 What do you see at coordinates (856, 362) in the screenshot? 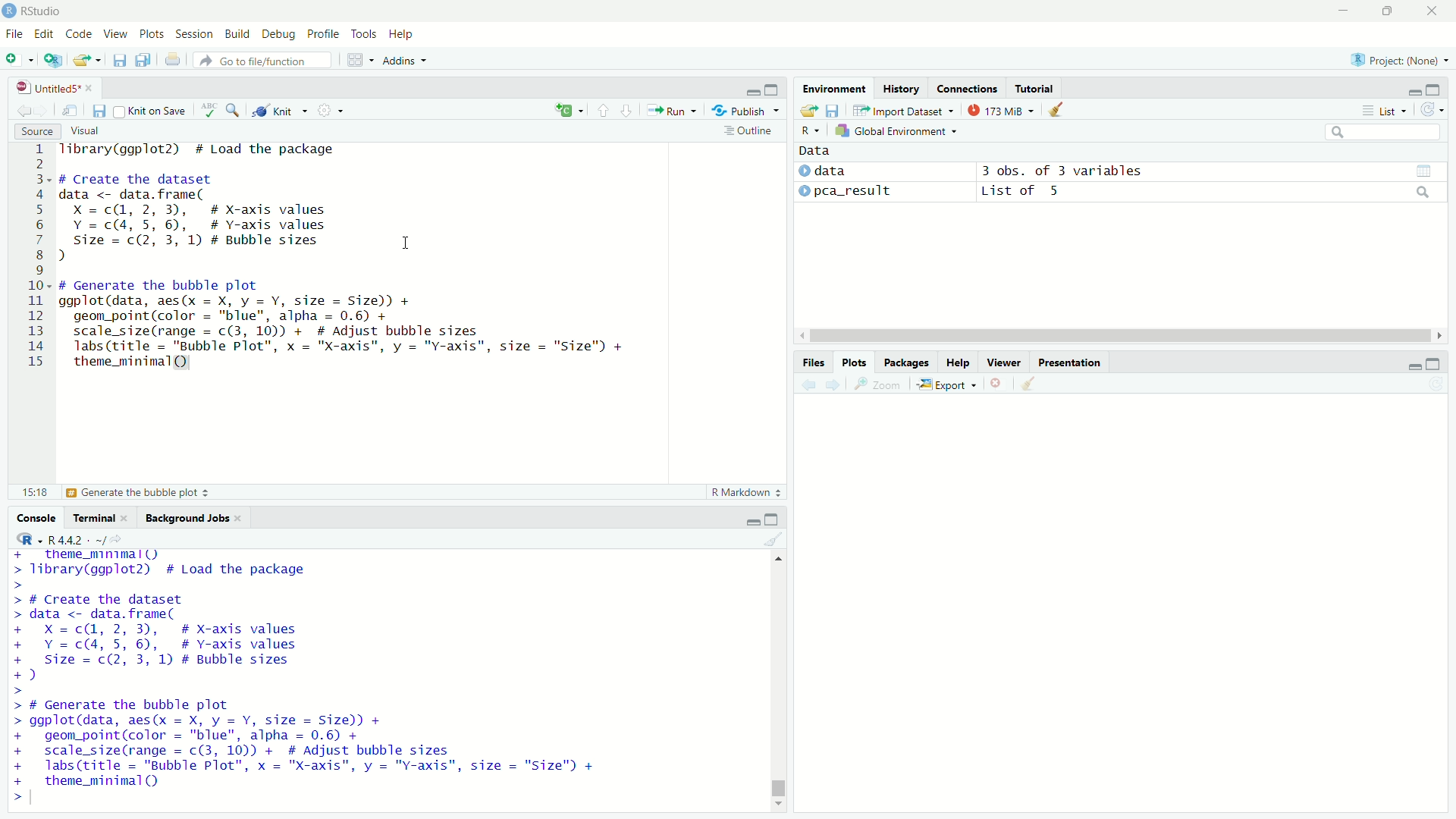
I see `plots` at bounding box center [856, 362].